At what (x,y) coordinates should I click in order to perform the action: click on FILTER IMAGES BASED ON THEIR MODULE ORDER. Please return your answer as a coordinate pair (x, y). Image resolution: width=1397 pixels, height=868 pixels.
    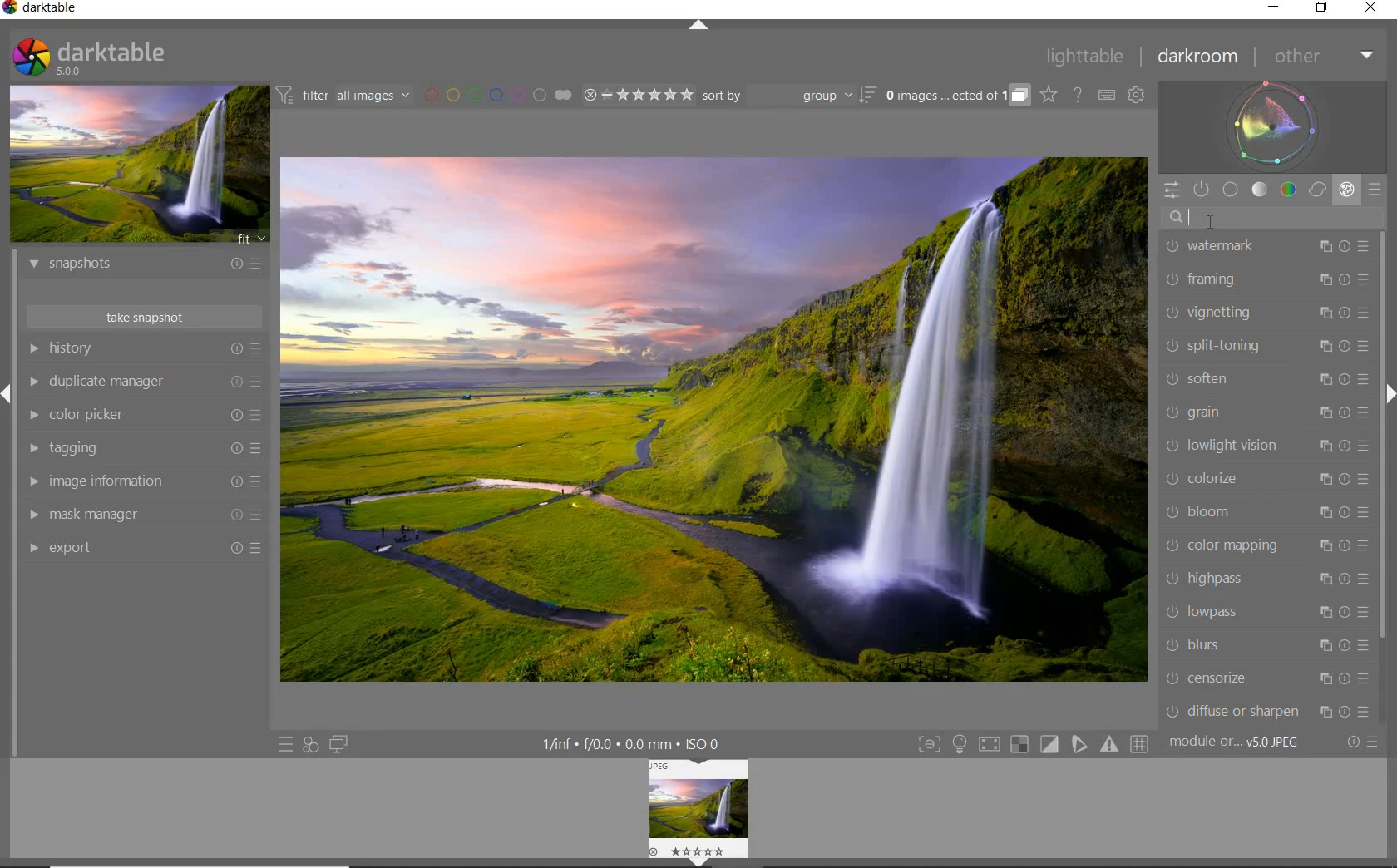
    Looking at the image, I should click on (343, 96).